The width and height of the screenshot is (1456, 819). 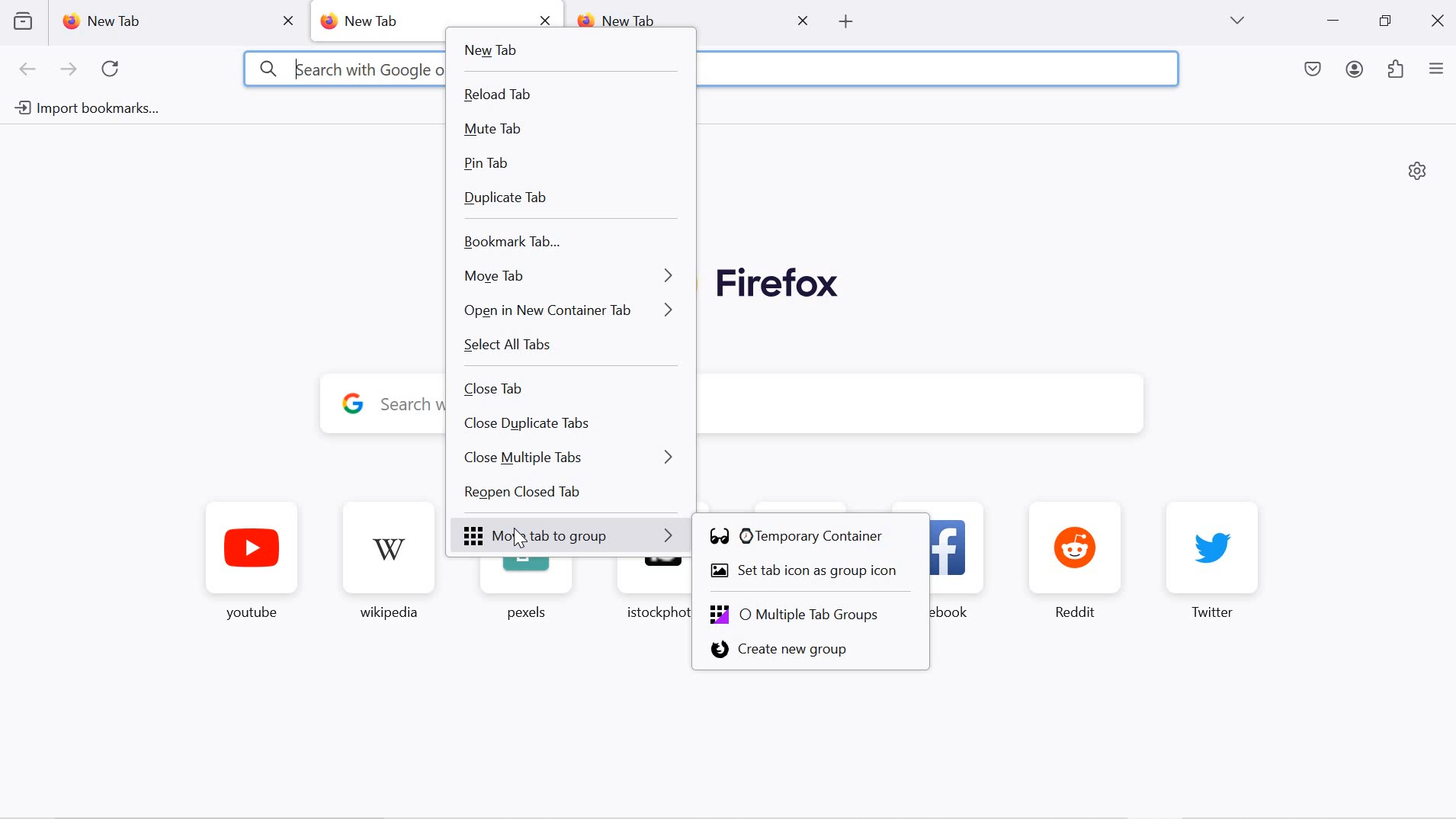 I want to click on temporary container, so click(x=805, y=536).